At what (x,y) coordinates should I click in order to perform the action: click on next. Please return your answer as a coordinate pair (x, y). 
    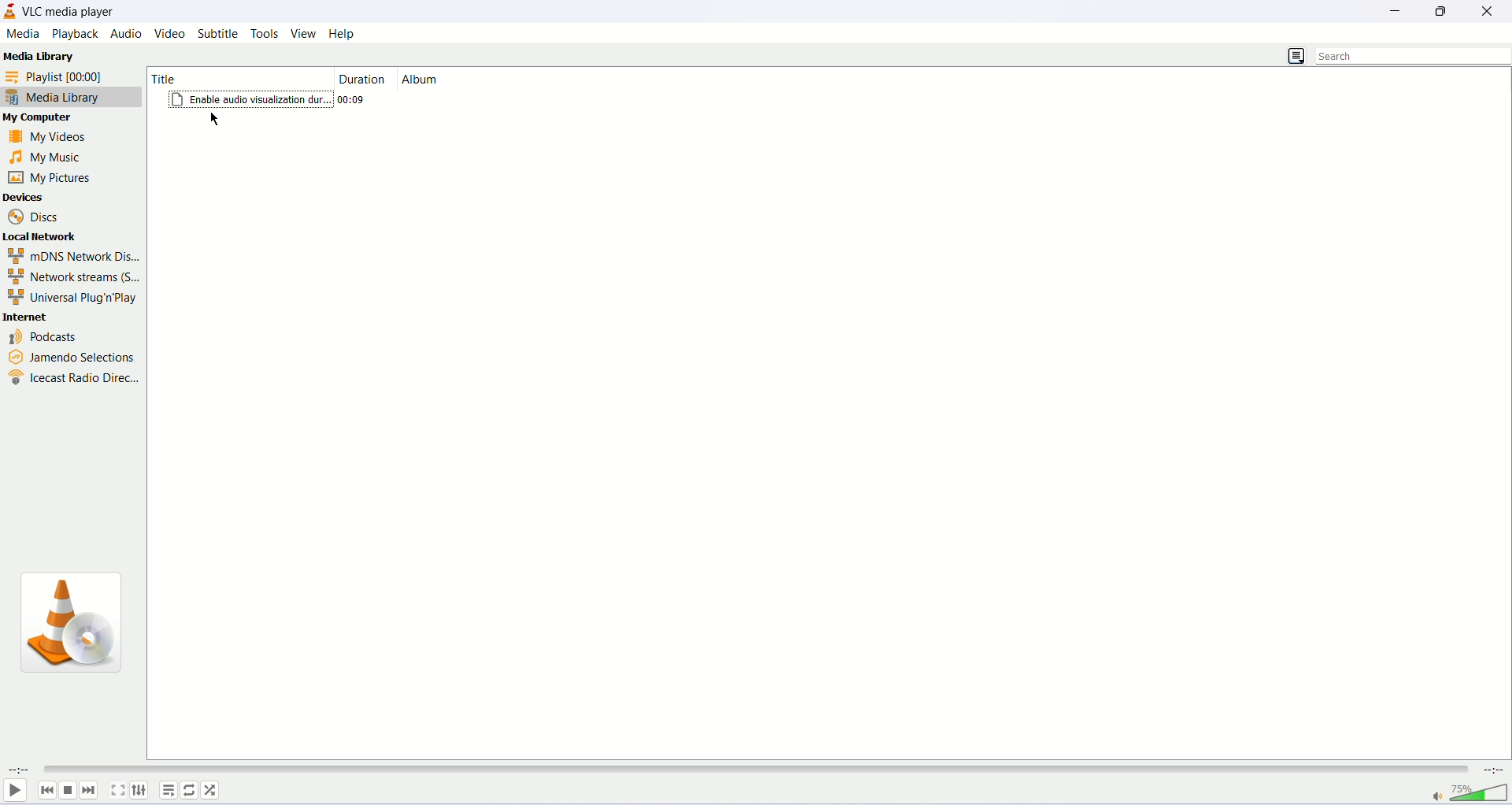
    Looking at the image, I should click on (89, 790).